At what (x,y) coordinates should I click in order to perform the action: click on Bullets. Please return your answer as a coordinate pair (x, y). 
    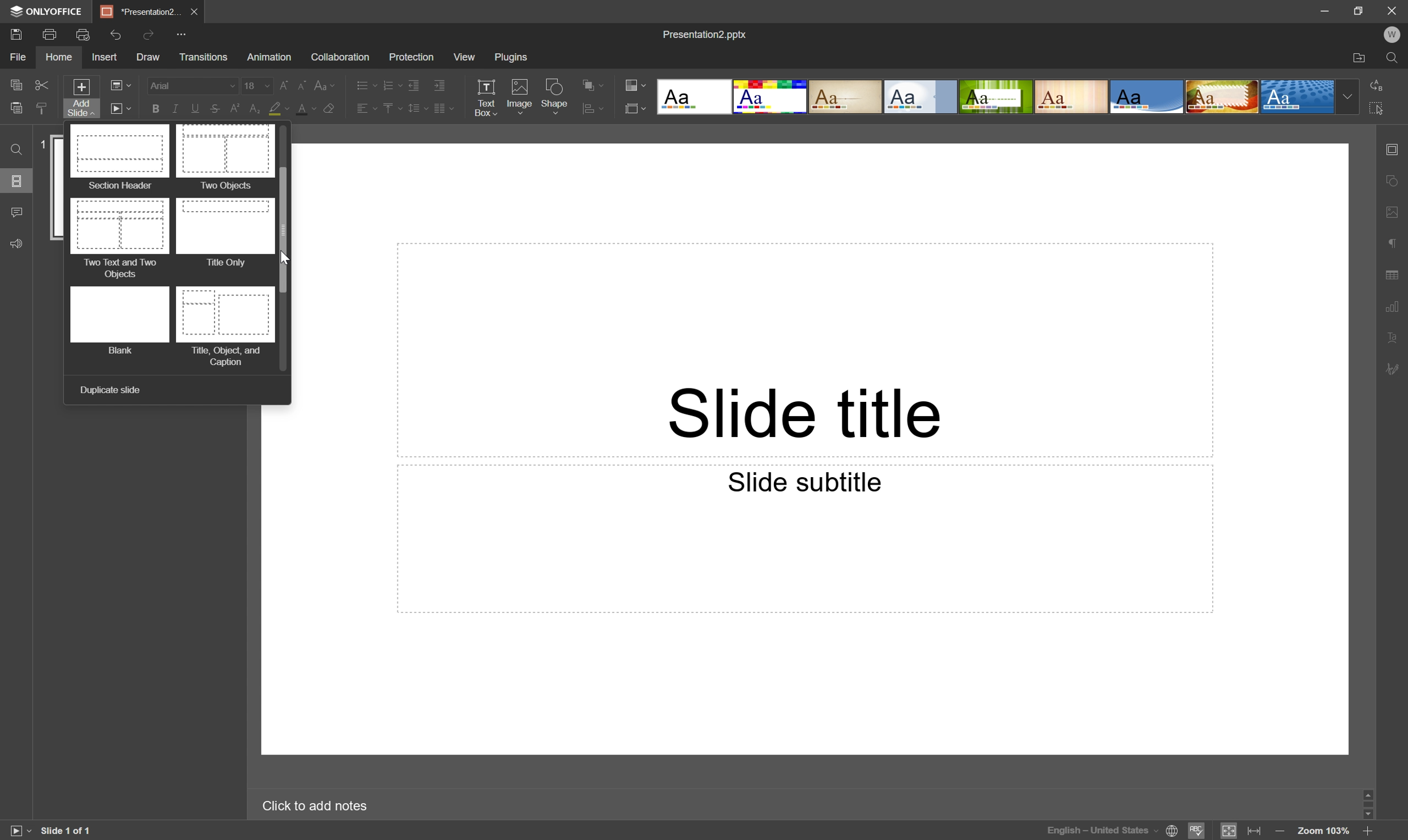
    Looking at the image, I should click on (363, 83).